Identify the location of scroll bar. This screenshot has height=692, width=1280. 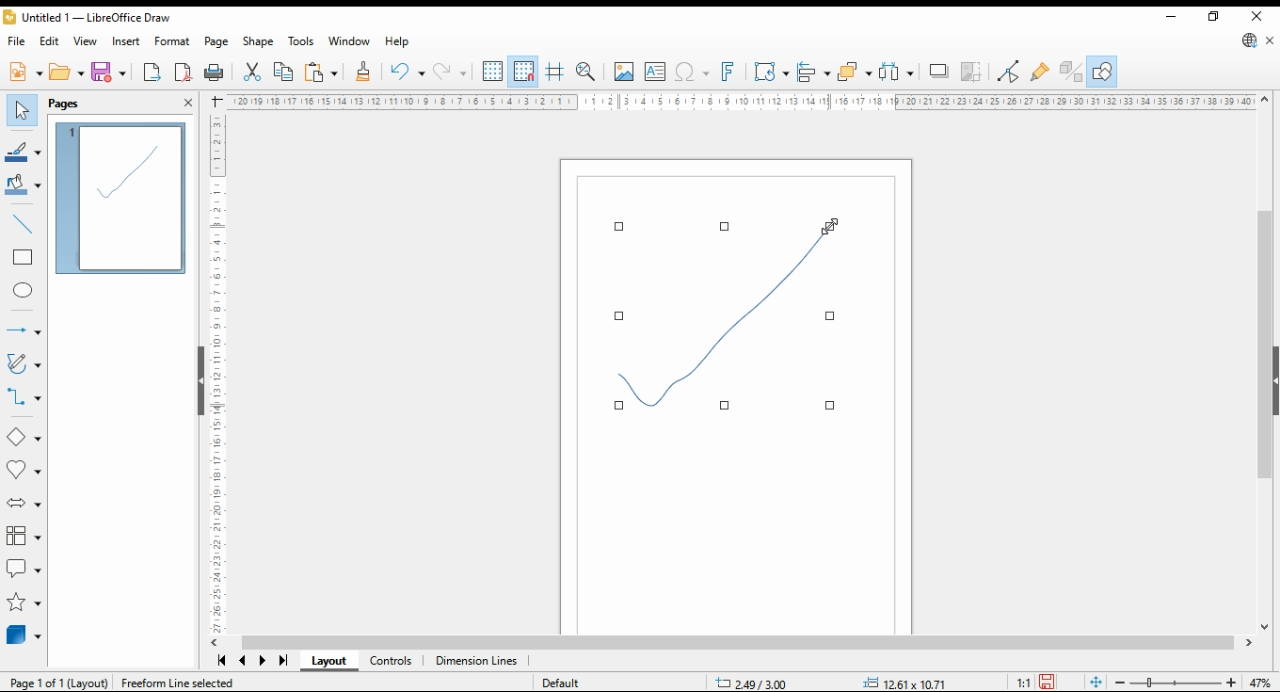
(741, 643).